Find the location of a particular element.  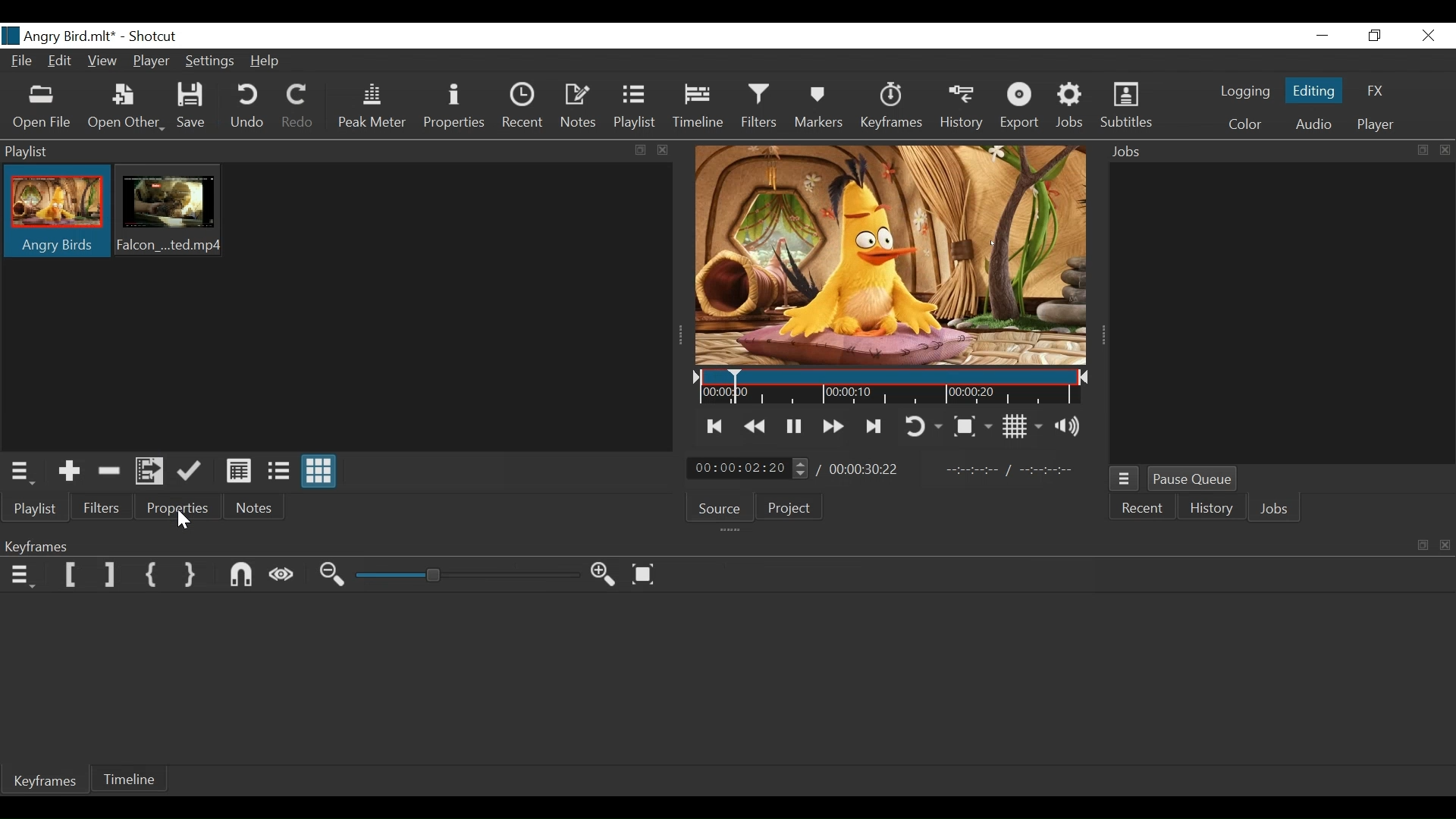

Play forward quickly is located at coordinates (831, 425).